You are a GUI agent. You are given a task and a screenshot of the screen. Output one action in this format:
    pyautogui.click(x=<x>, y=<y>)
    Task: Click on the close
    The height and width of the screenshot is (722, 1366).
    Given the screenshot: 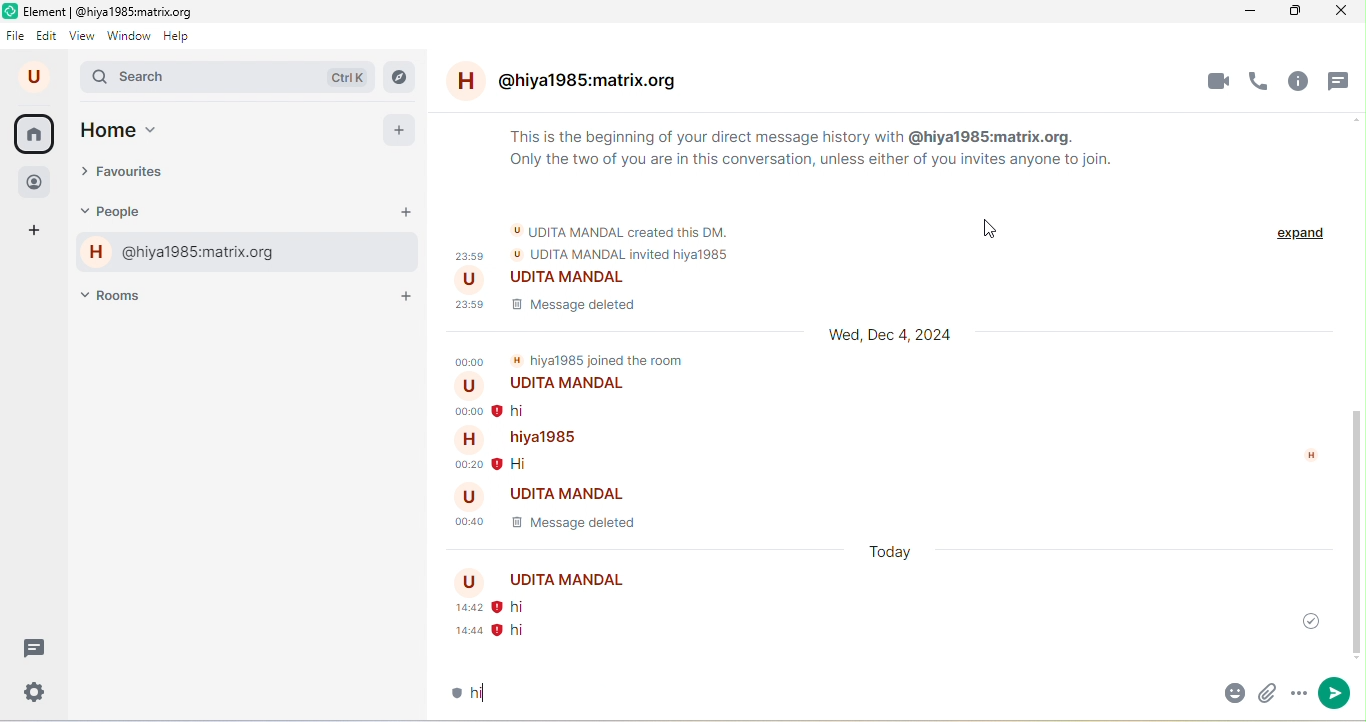 What is the action you would take?
    pyautogui.click(x=1341, y=13)
    